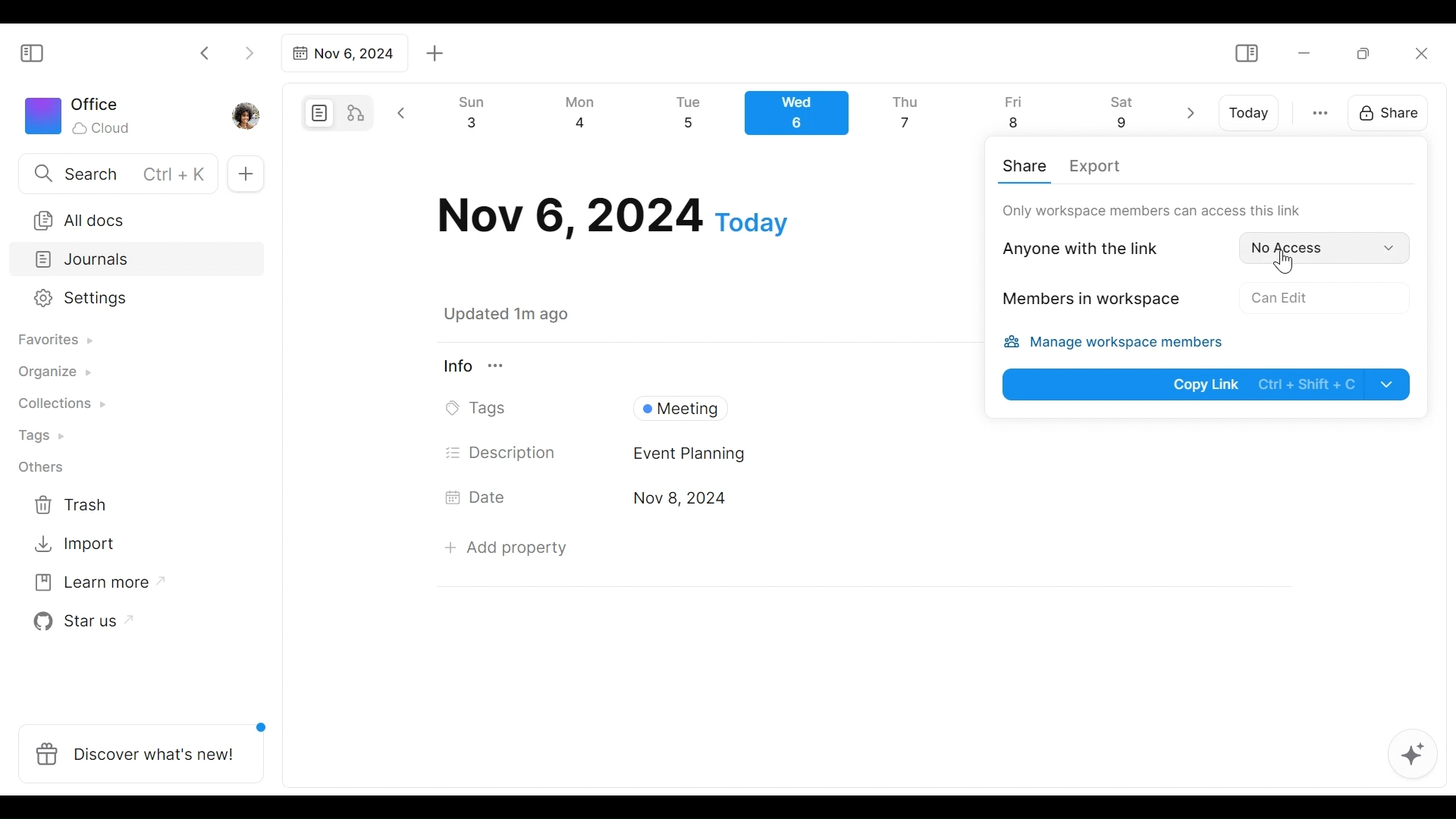  I want to click on Show/Hide Sidebar, so click(1246, 54).